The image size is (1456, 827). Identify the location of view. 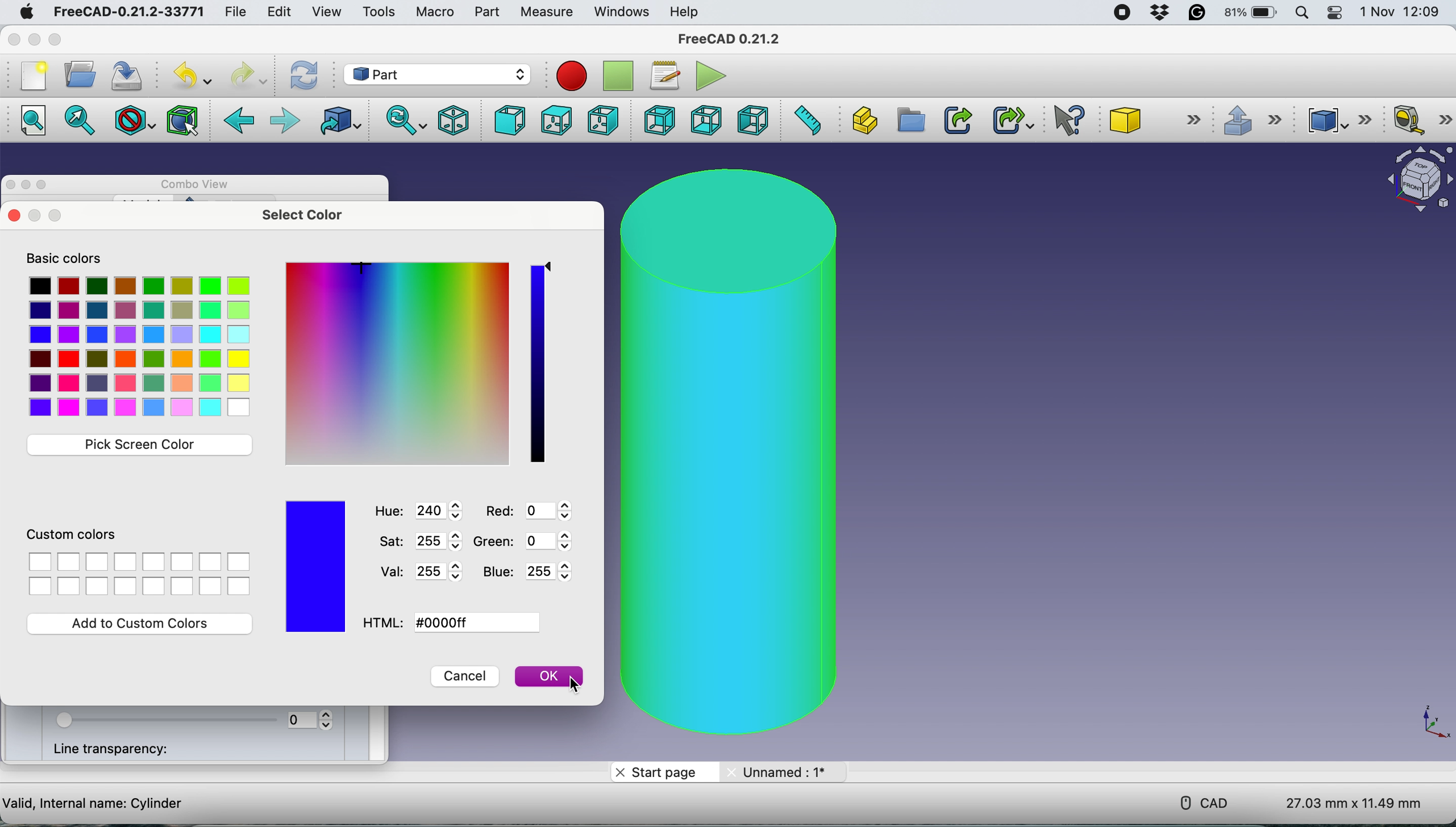
(325, 12).